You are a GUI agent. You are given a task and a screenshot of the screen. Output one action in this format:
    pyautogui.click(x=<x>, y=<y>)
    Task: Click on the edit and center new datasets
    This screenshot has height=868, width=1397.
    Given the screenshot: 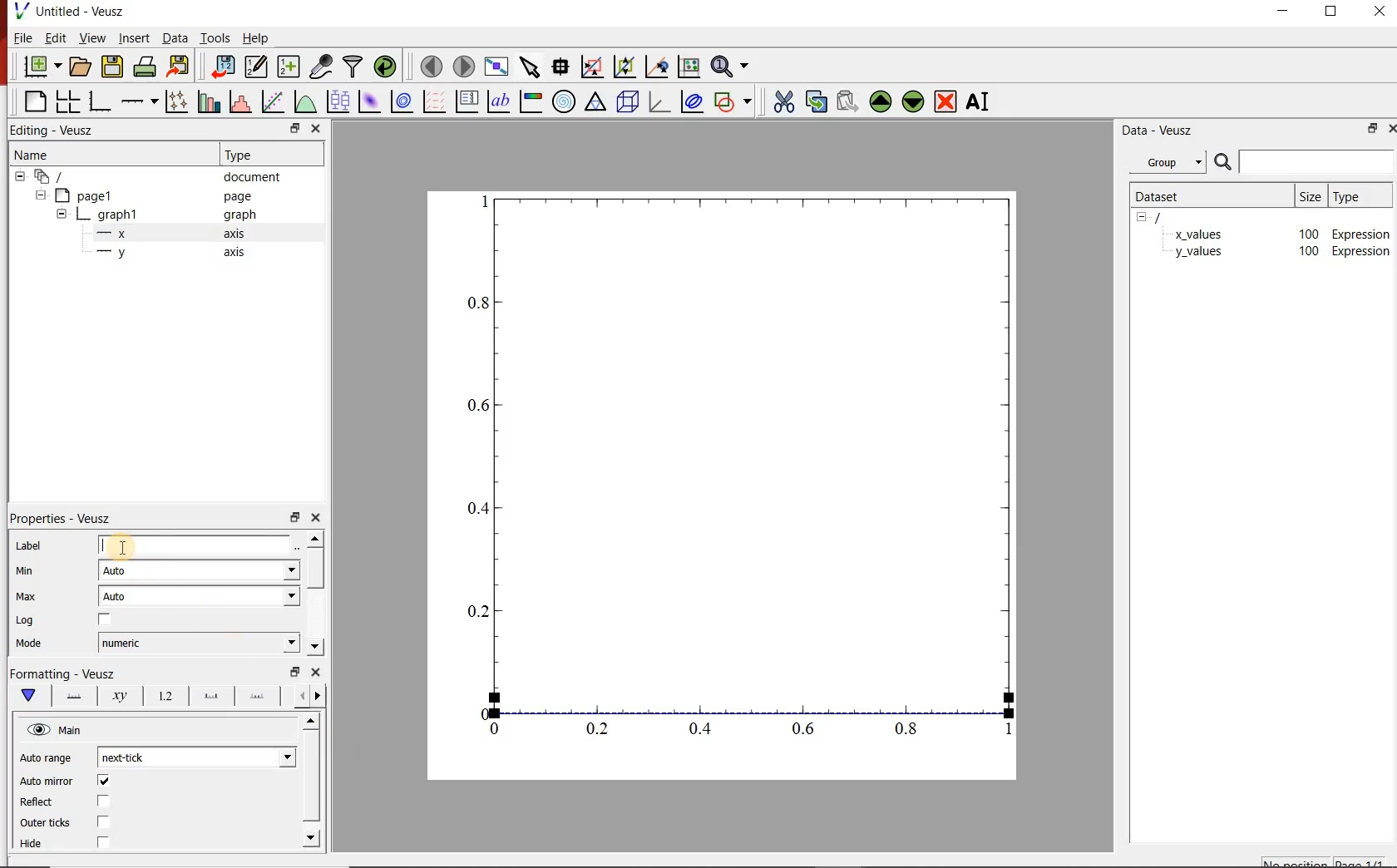 What is the action you would take?
    pyautogui.click(x=258, y=67)
    